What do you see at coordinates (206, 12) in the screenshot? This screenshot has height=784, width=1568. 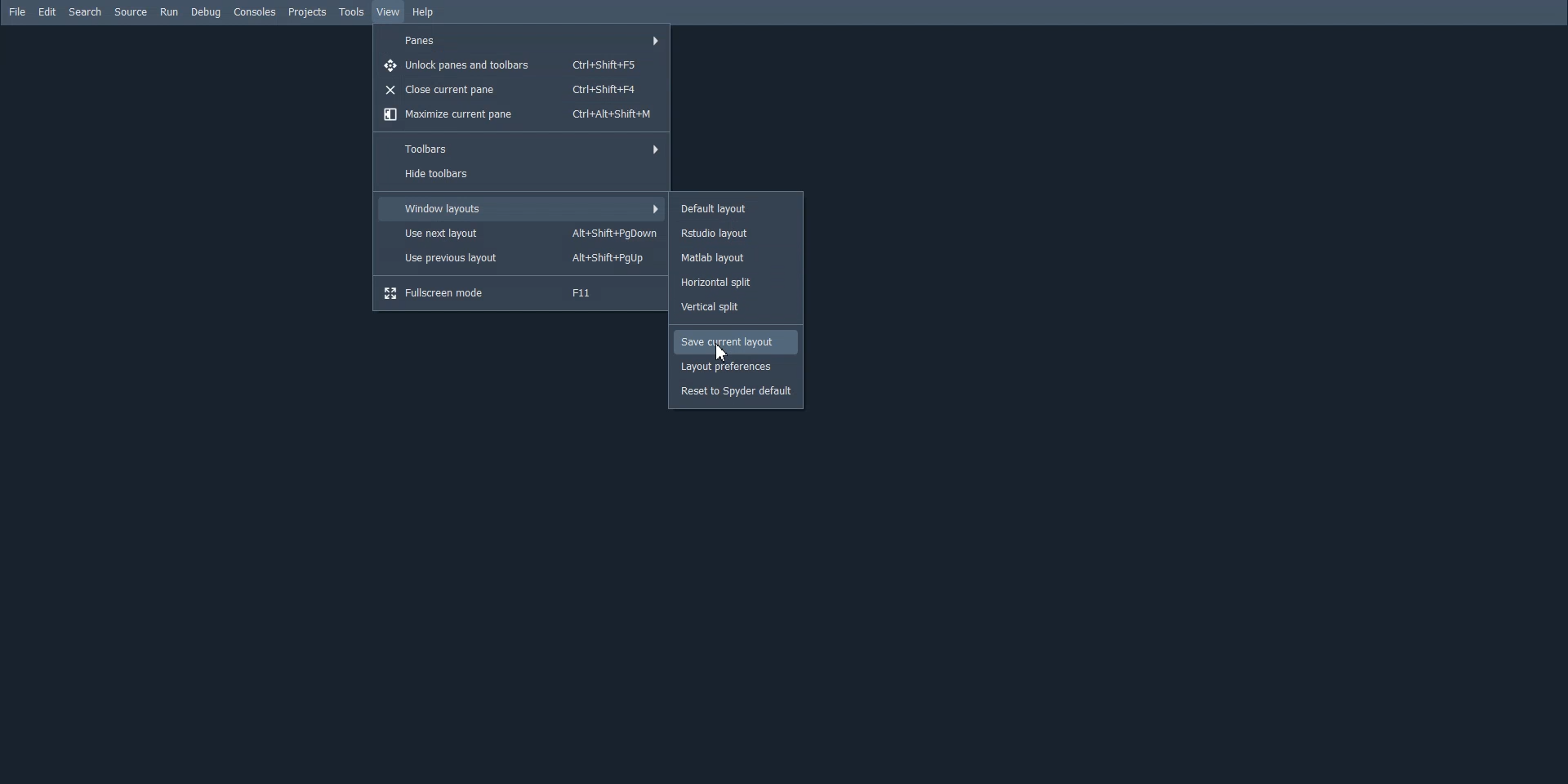 I see `Debug` at bounding box center [206, 12].